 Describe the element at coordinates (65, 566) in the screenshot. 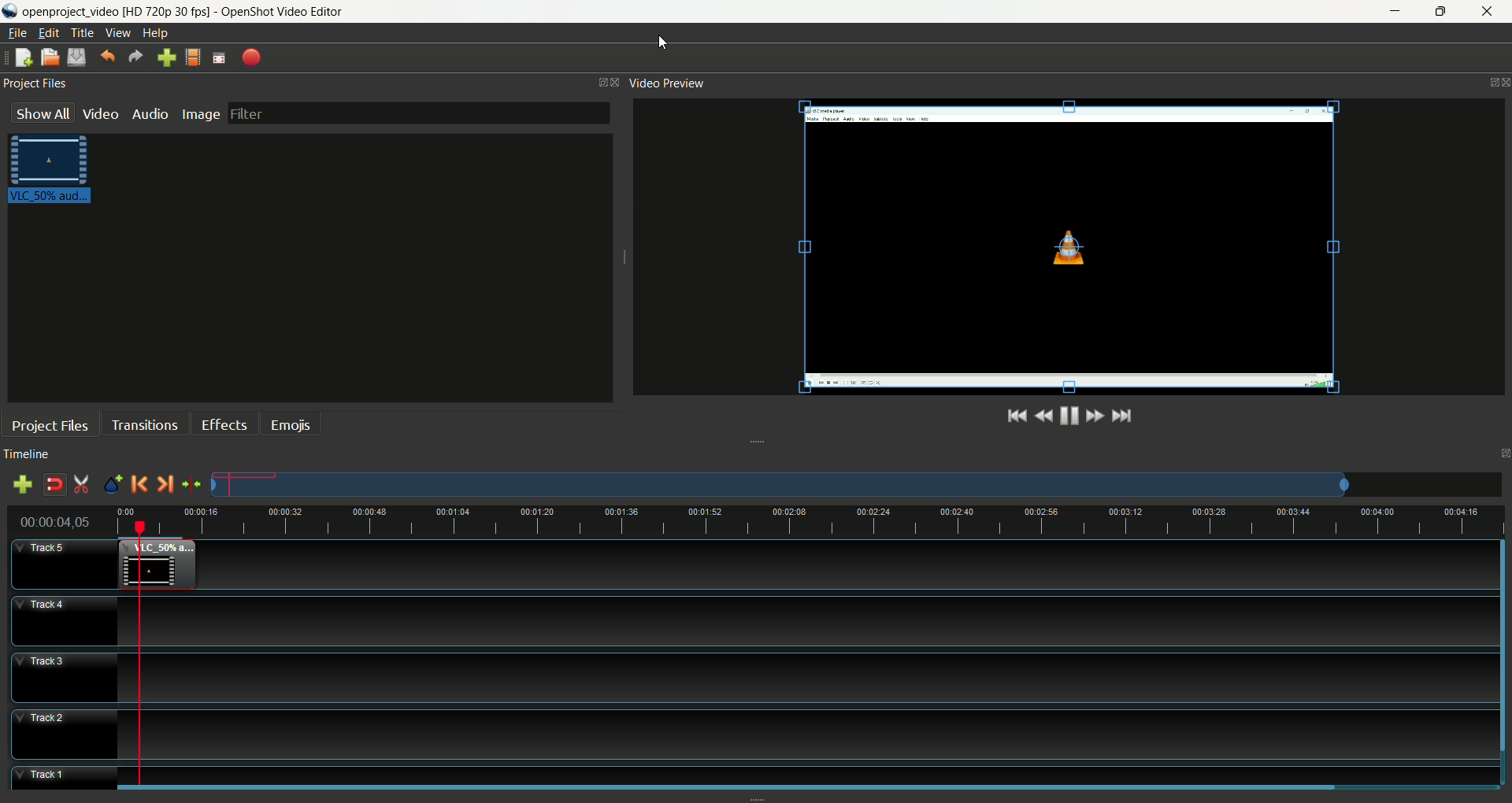

I see `track5` at that location.